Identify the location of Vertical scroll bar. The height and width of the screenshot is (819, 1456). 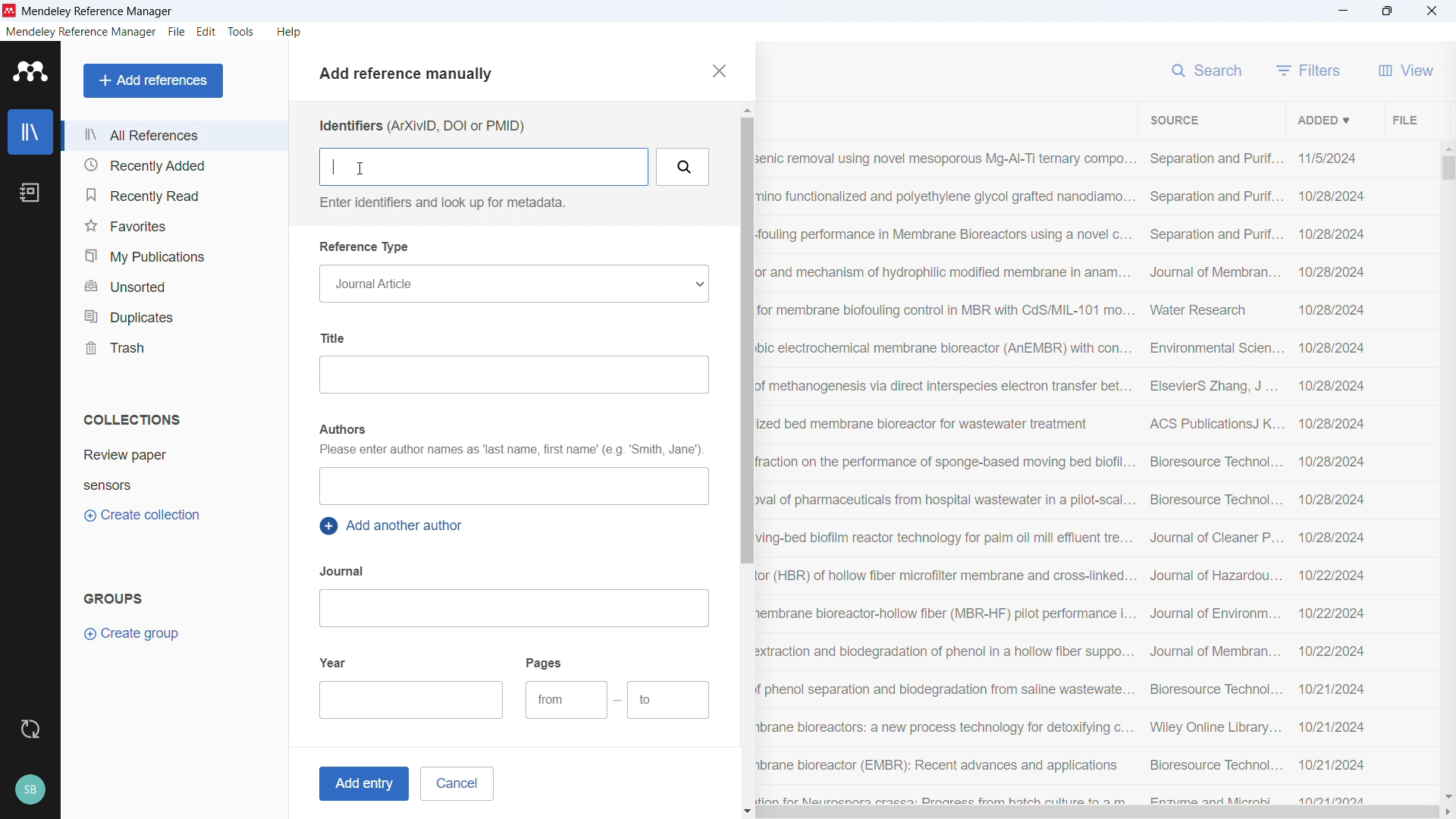
(745, 340).